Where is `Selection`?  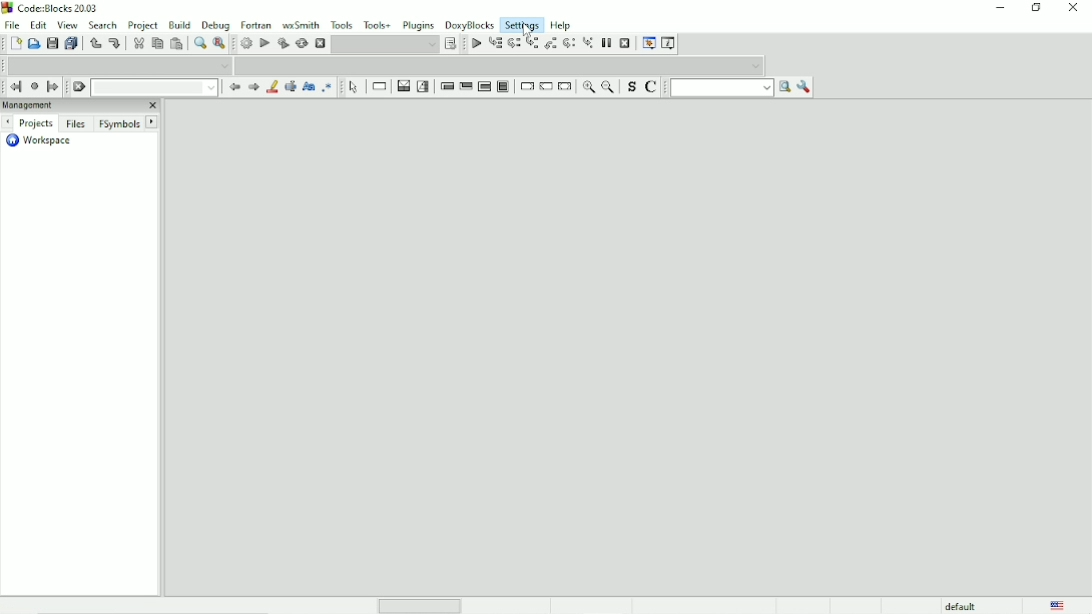 Selection is located at coordinates (424, 87).